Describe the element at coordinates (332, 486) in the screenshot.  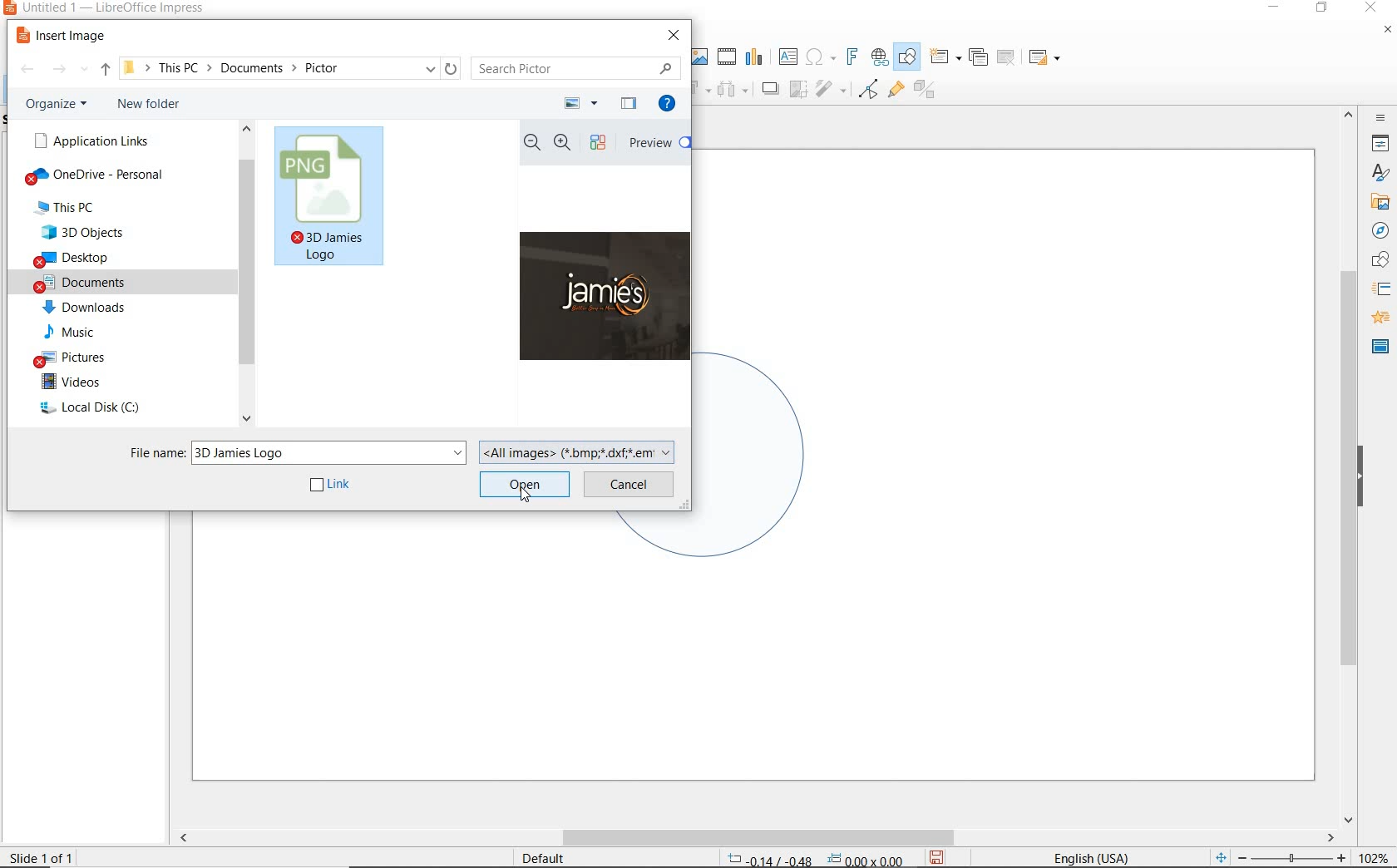
I see `LINK` at that location.